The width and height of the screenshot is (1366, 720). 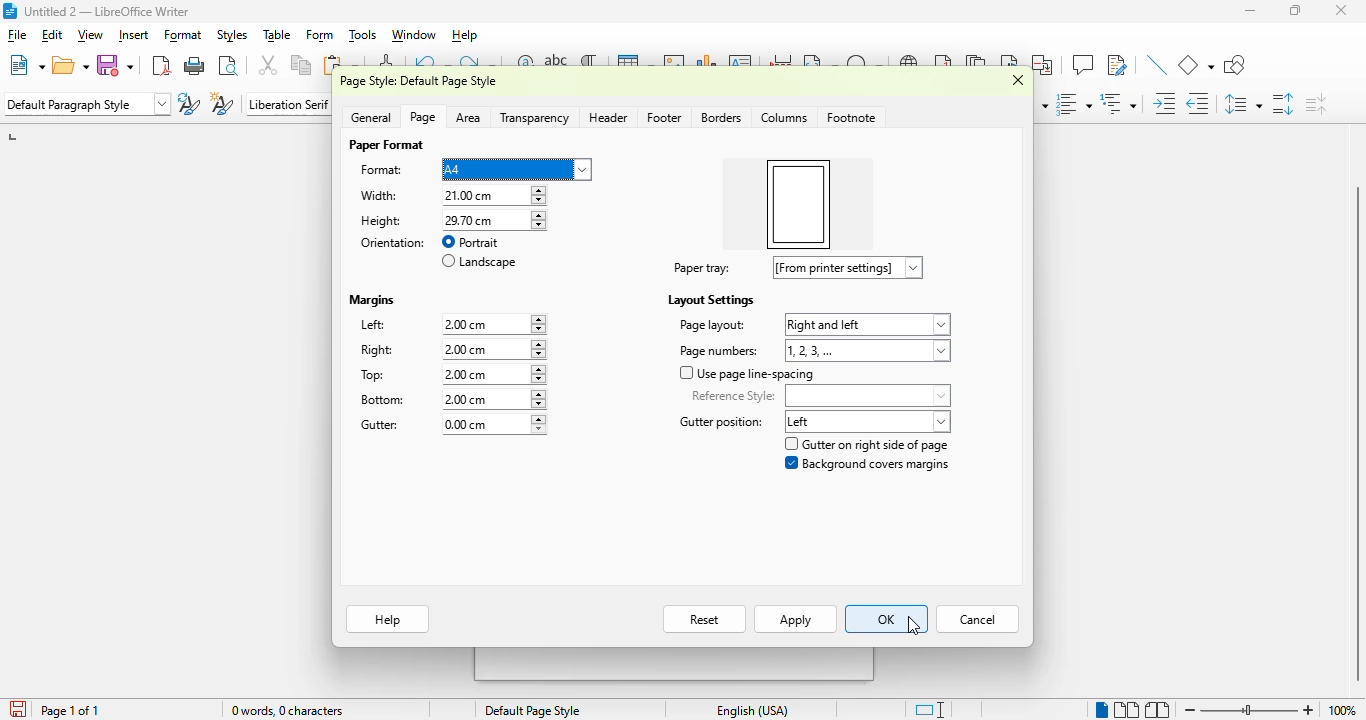 What do you see at coordinates (812, 324) in the screenshot?
I see `page layout: right and left` at bounding box center [812, 324].